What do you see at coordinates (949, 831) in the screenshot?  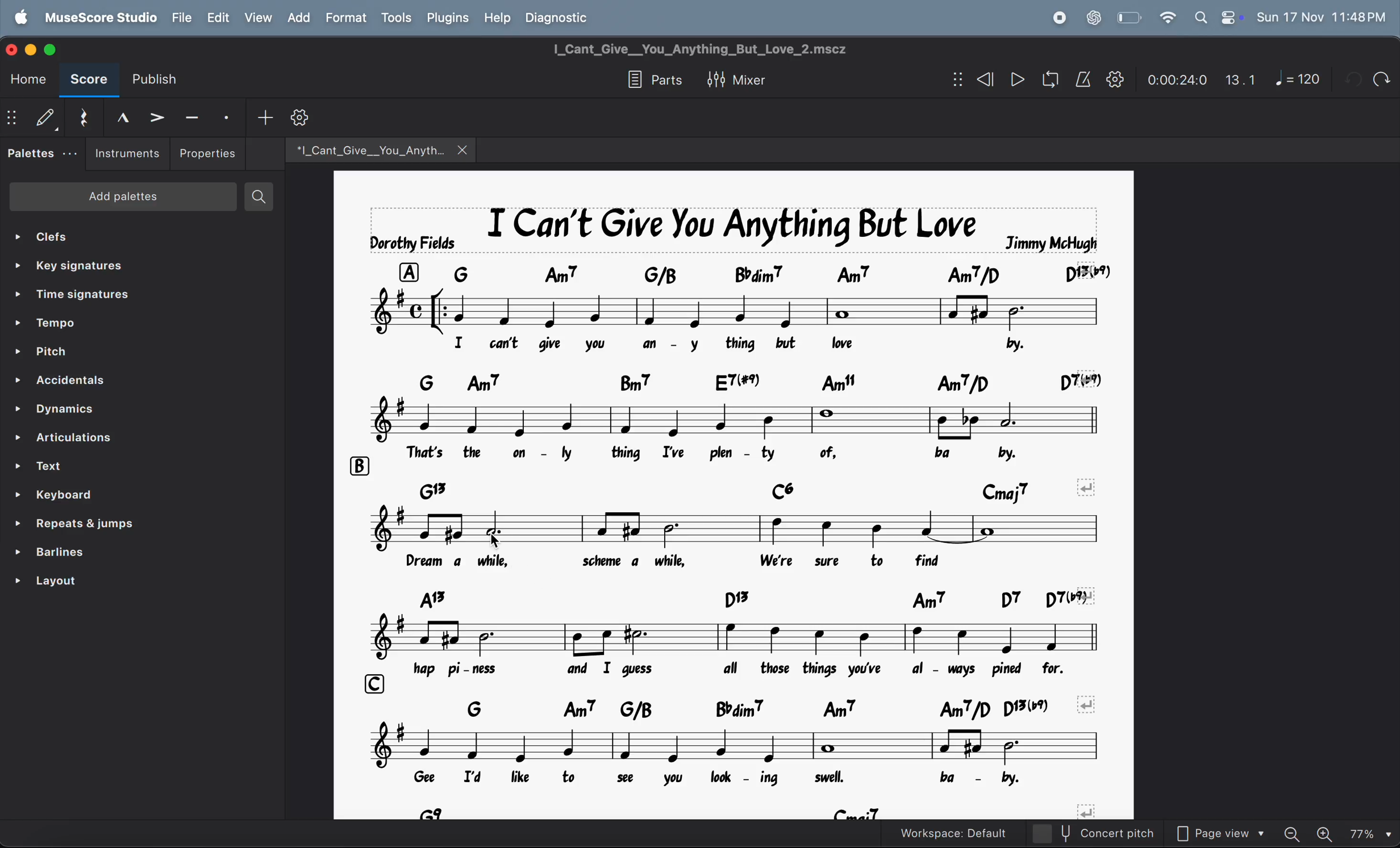 I see `workspace default` at bounding box center [949, 831].